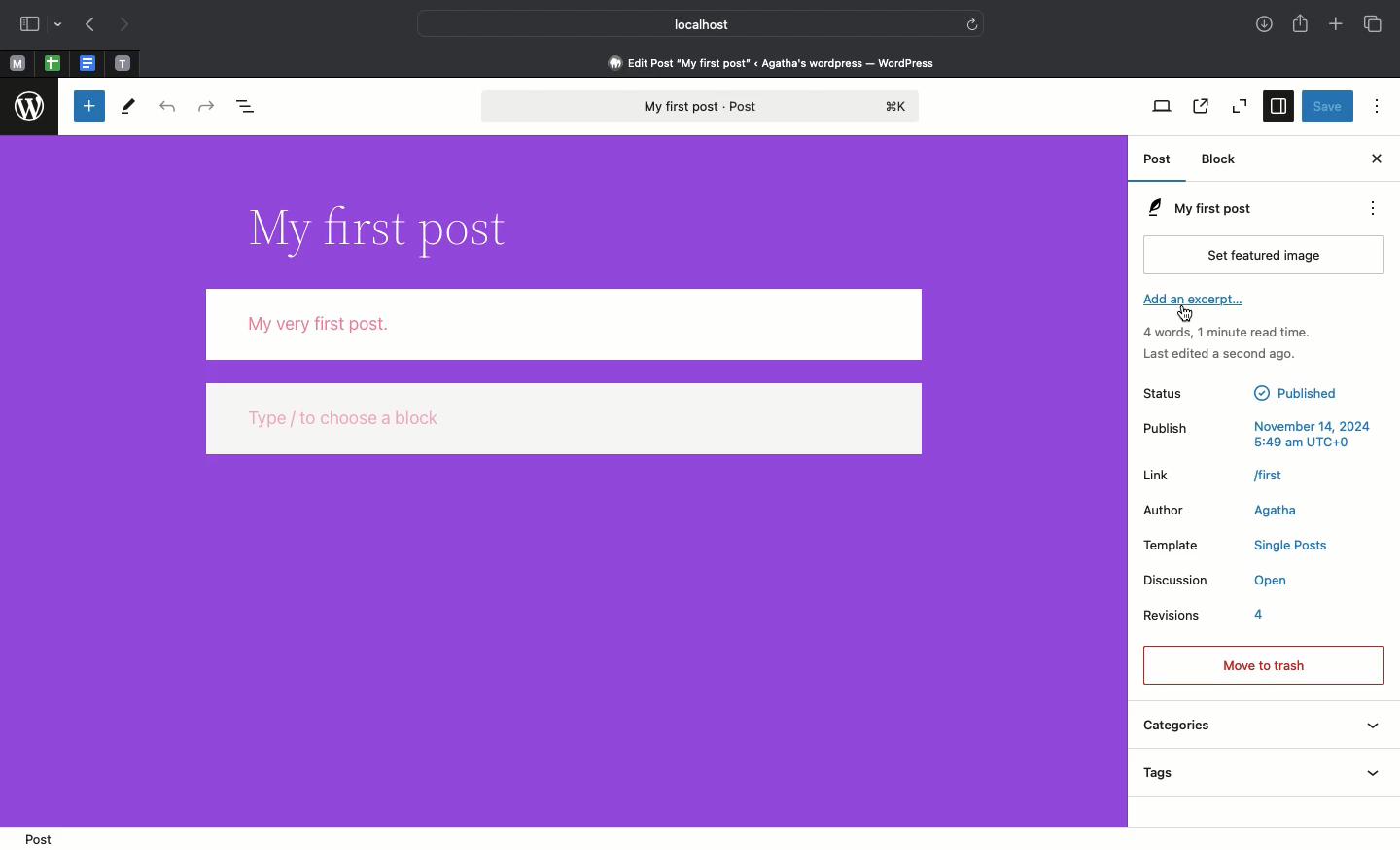 Image resolution: width=1400 pixels, height=850 pixels. What do you see at coordinates (1215, 583) in the screenshot?
I see `Discussion` at bounding box center [1215, 583].